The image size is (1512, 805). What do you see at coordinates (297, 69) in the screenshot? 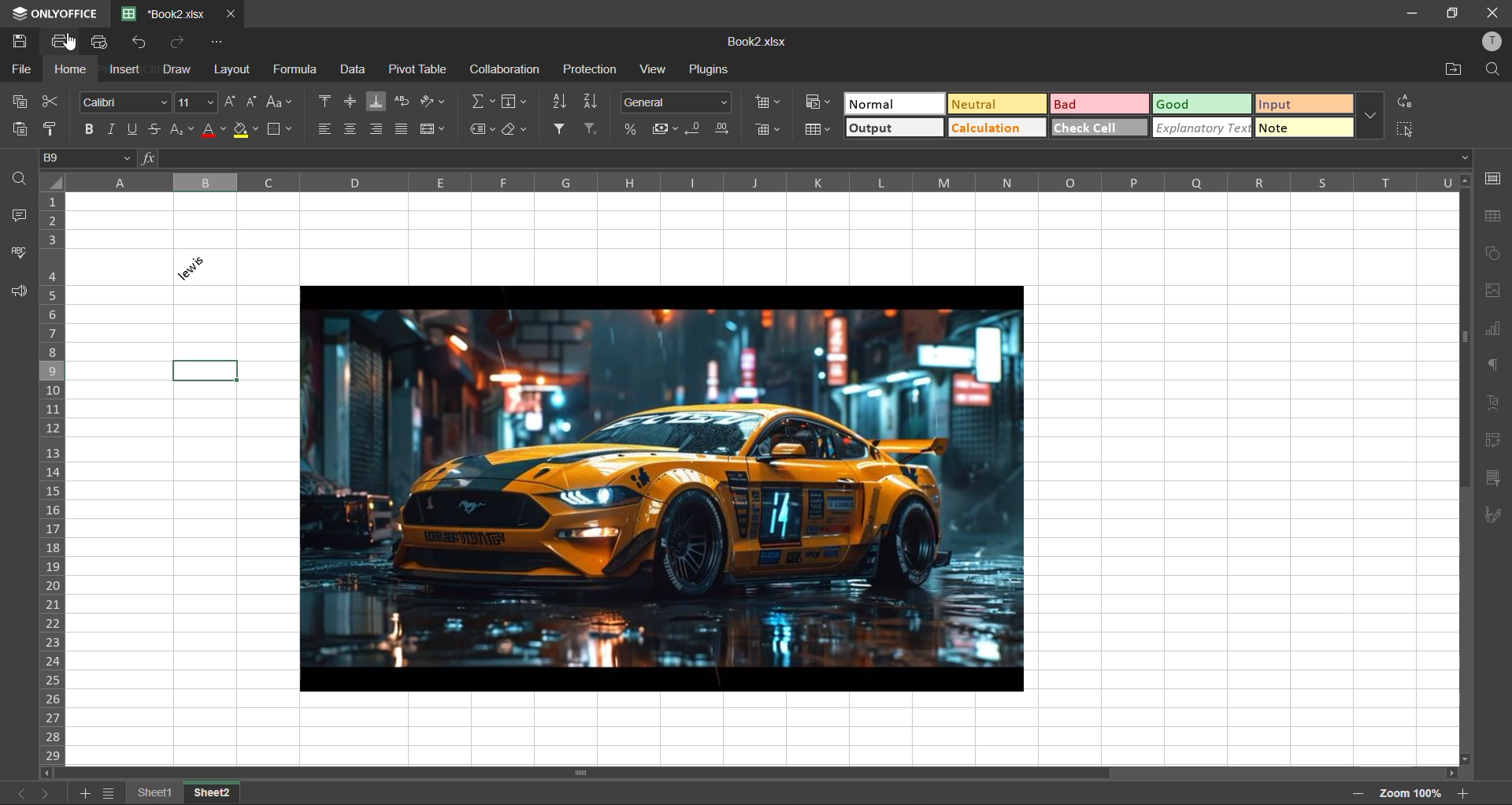
I see `formula` at bounding box center [297, 69].